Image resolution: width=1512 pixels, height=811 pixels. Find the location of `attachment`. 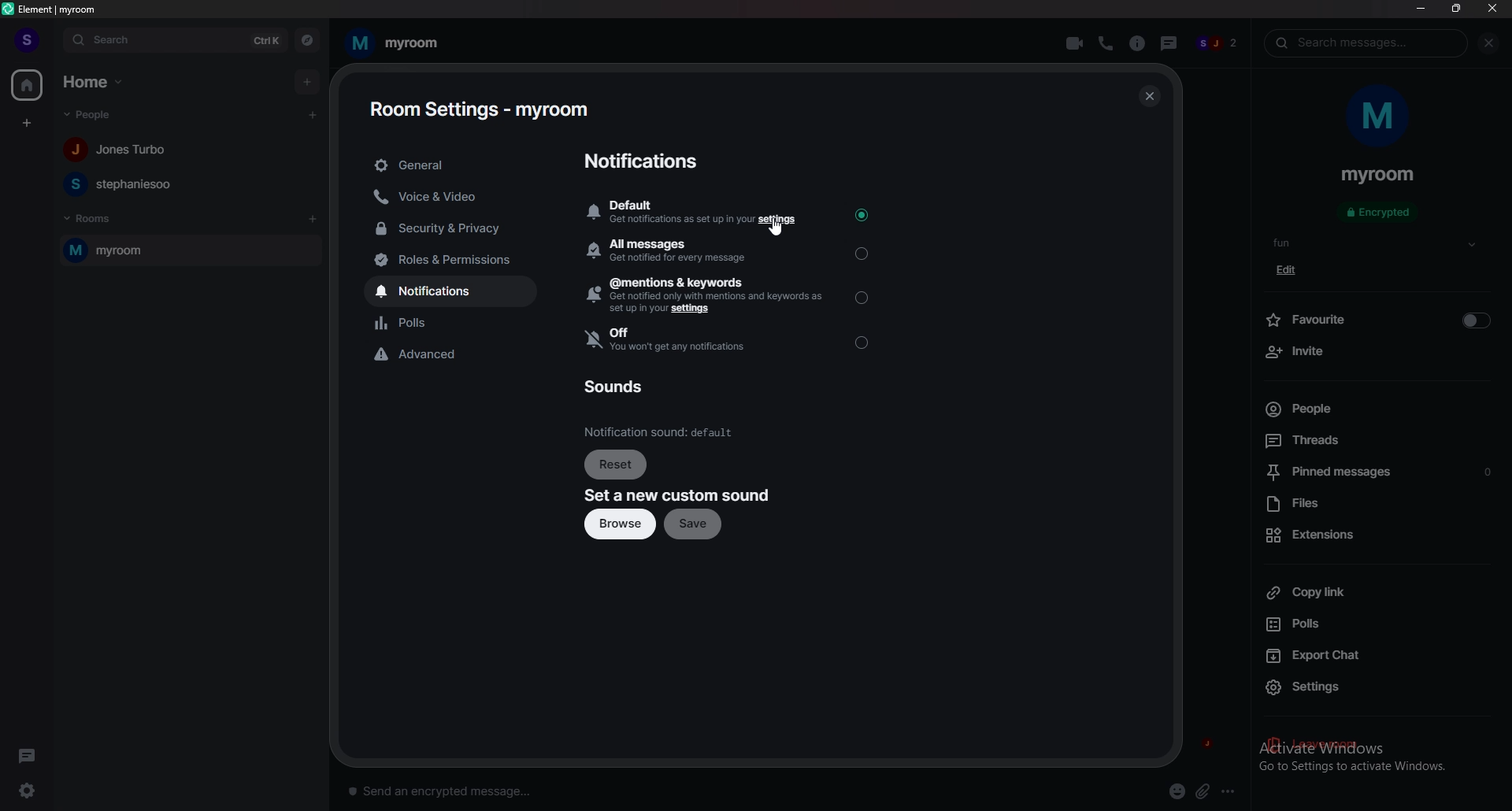

attachment is located at coordinates (1203, 792).